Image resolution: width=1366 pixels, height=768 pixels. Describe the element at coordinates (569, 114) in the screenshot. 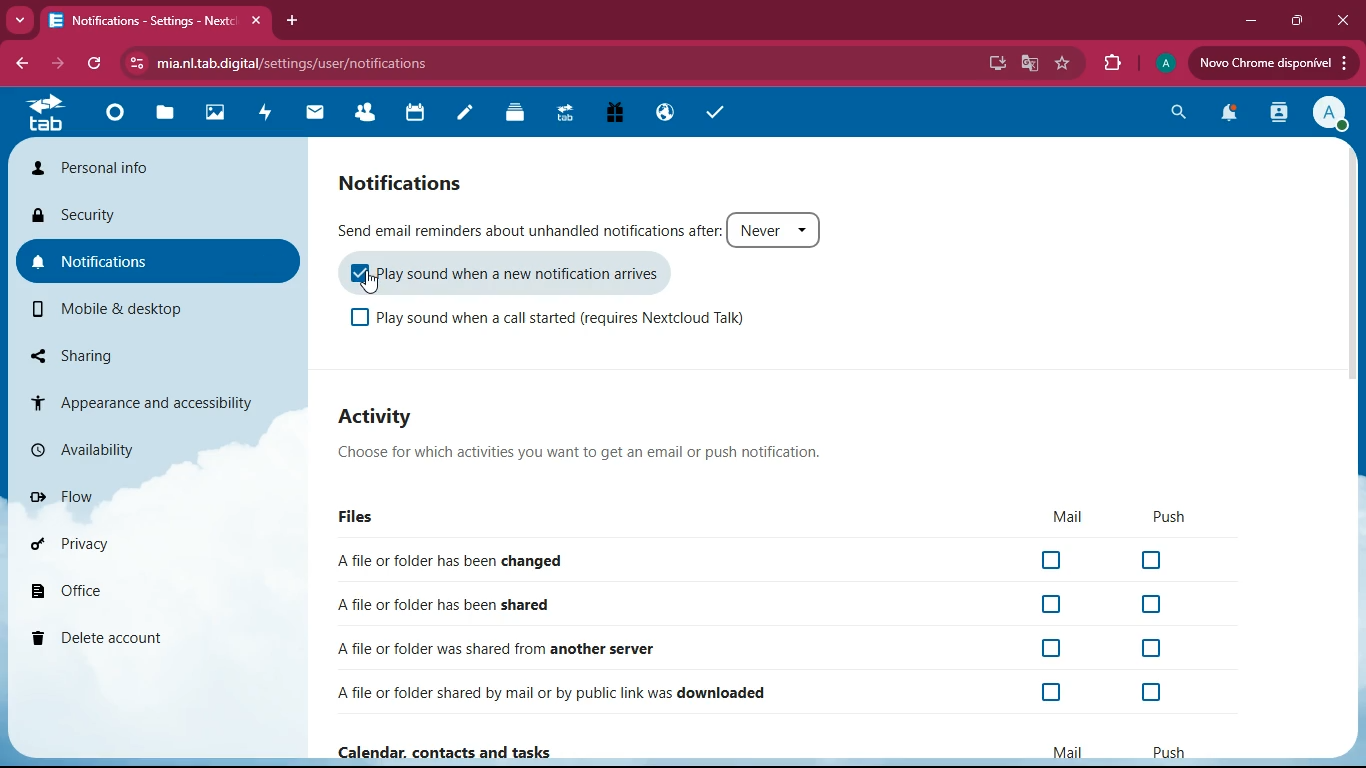

I see `tab` at that location.